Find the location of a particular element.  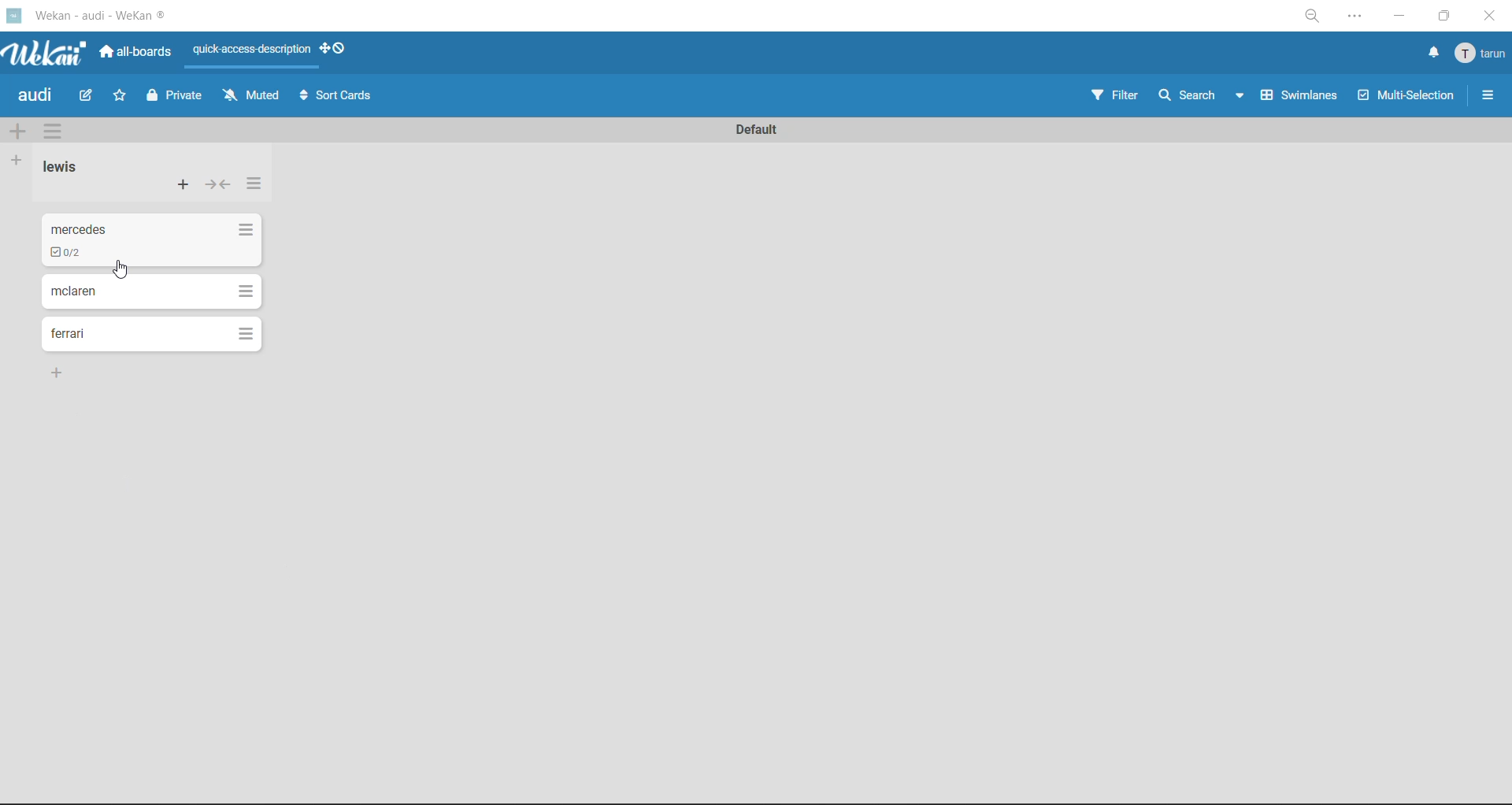

zoom is located at coordinates (1310, 16).